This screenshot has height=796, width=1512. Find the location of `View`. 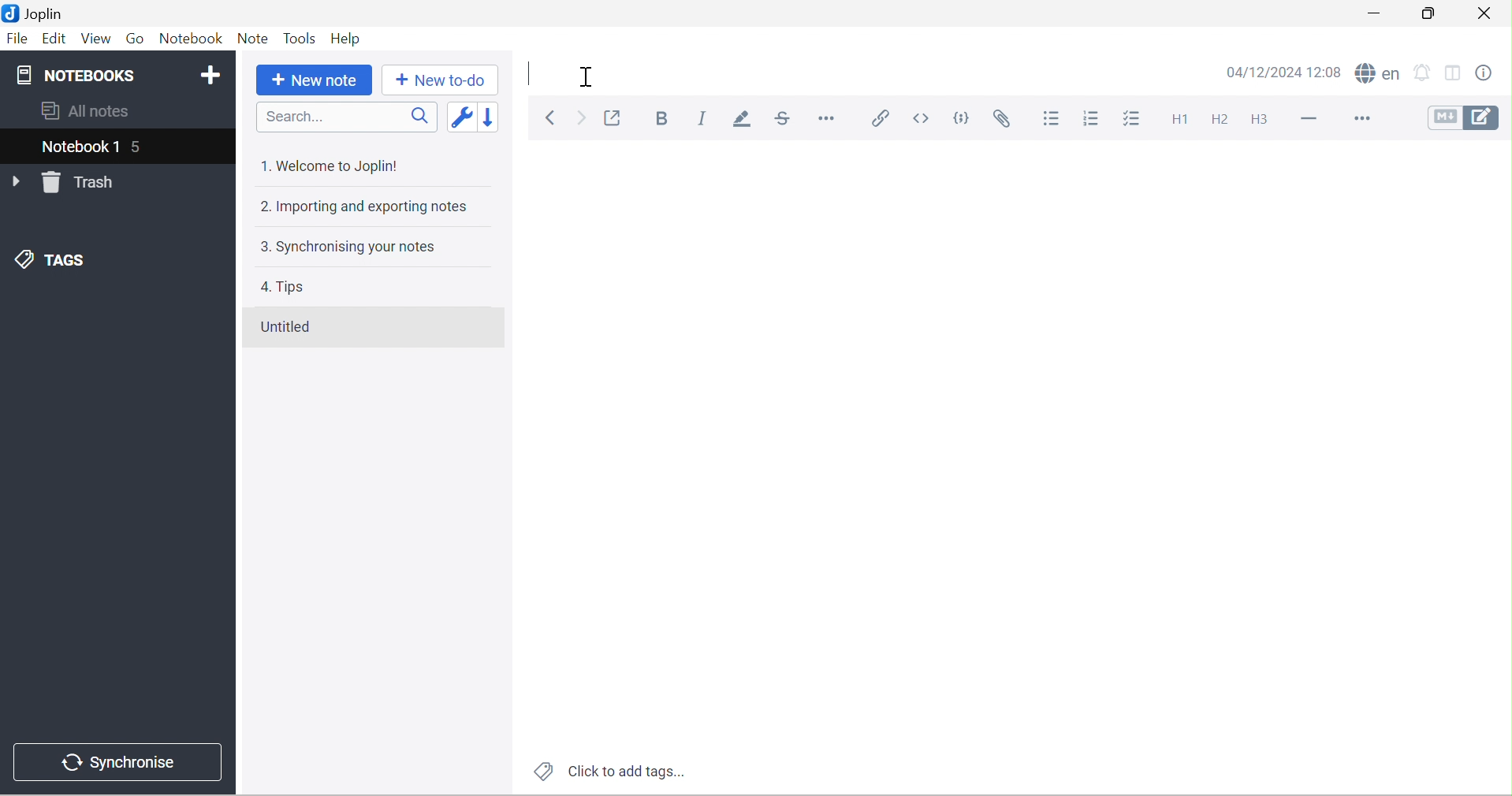

View is located at coordinates (97, 39).